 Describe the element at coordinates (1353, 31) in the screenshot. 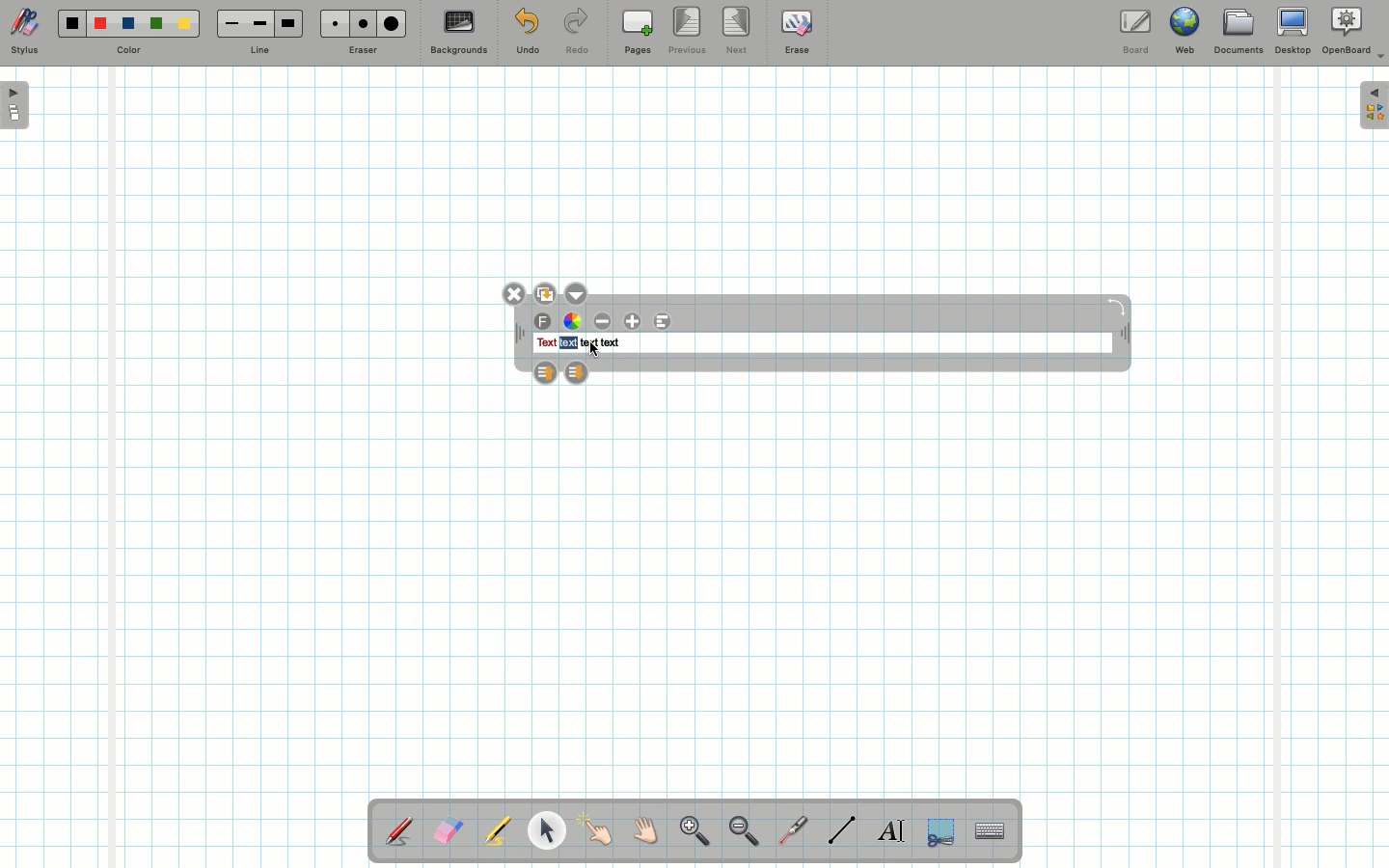

I see `OpenBoard` at that location.